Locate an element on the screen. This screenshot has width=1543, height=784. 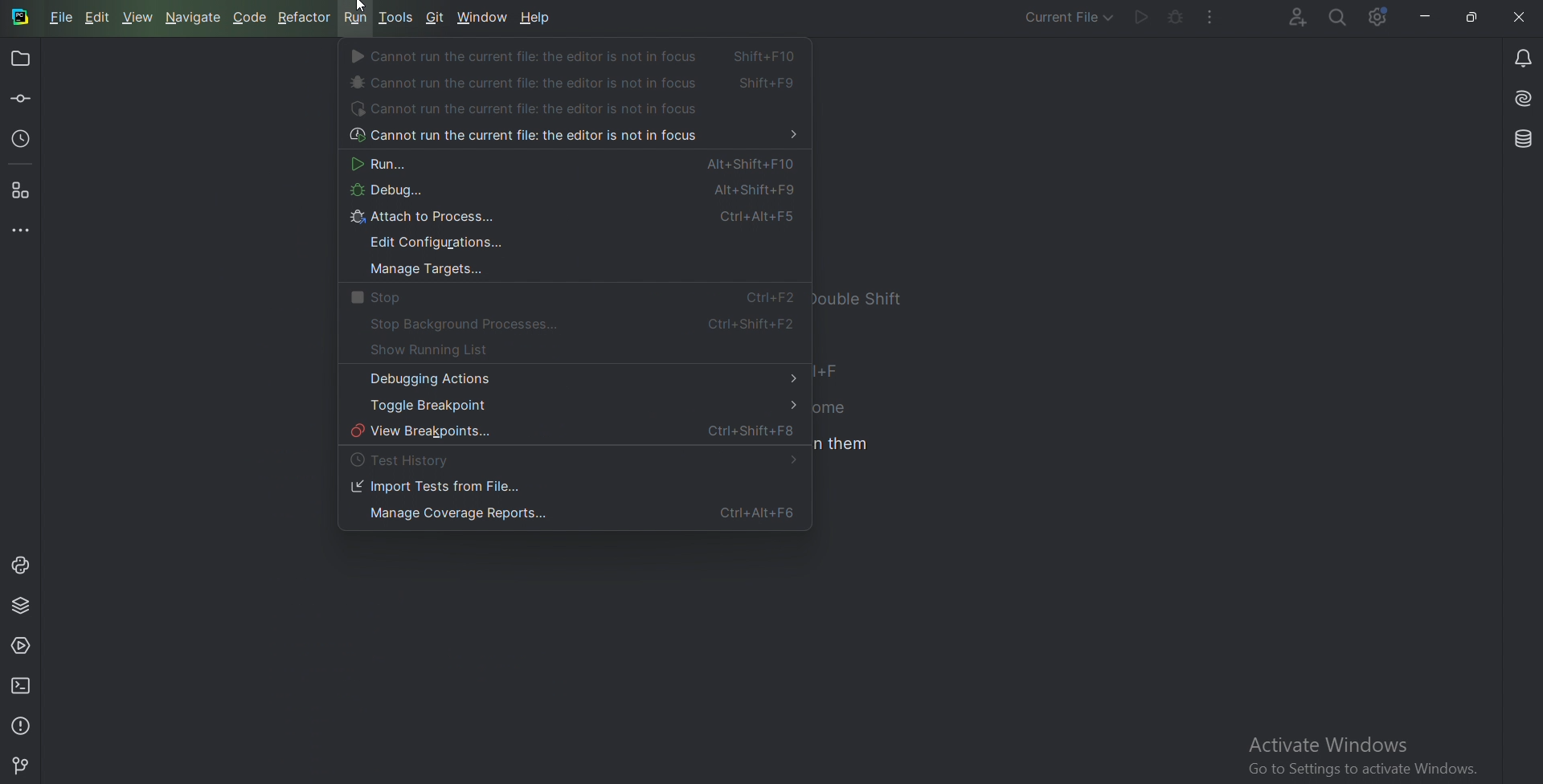
Cannot run the current file the editor is not in focus is located at coordinates (532, 110).